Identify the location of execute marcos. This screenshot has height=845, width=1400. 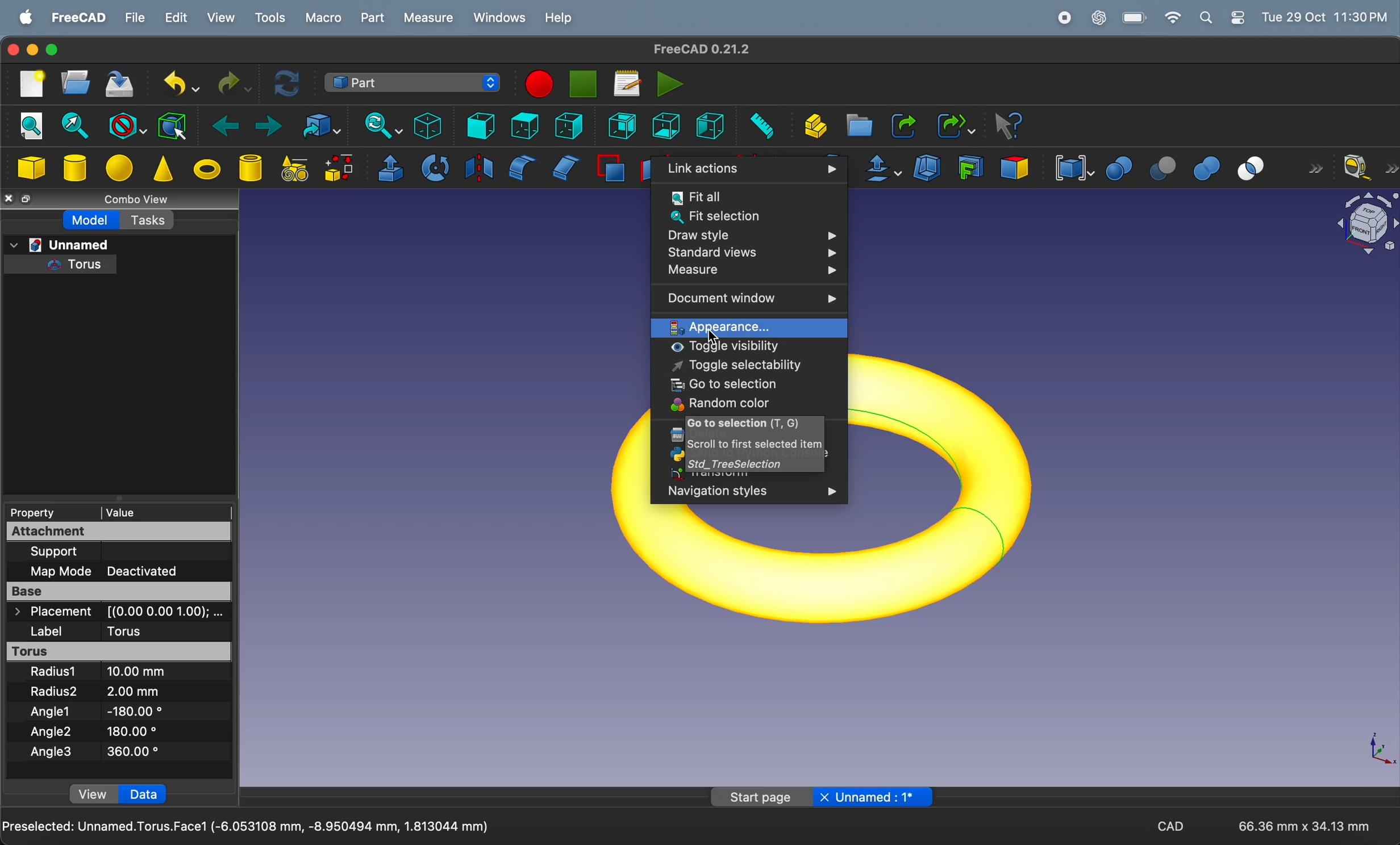
(670, 83).